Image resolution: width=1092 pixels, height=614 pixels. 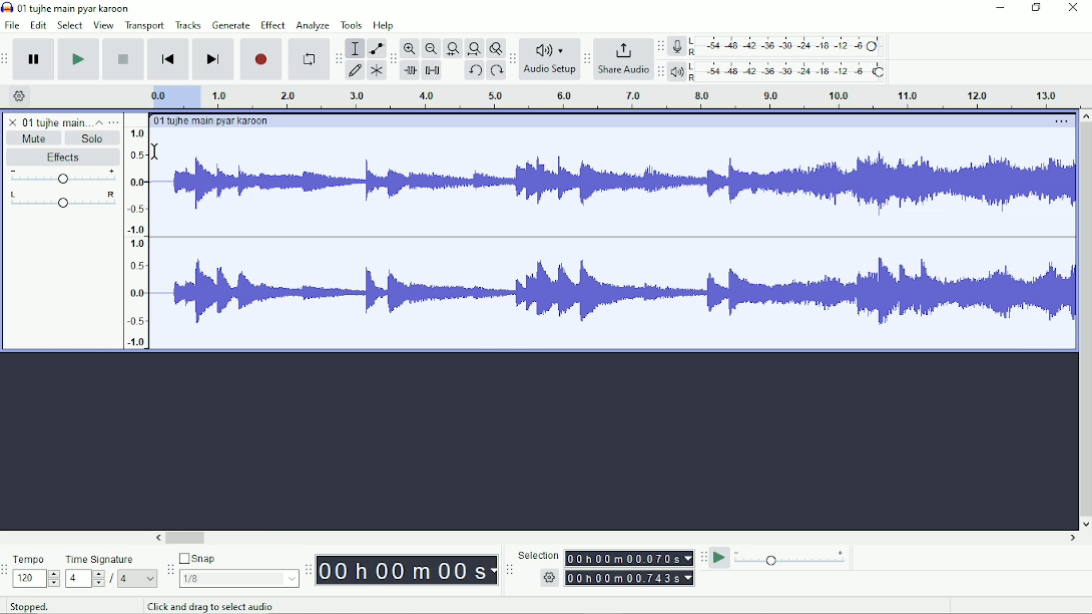 What do you see at coordinates (352, 25) in the screenshot?
I see `Tools` at bounding box center [352, 25].